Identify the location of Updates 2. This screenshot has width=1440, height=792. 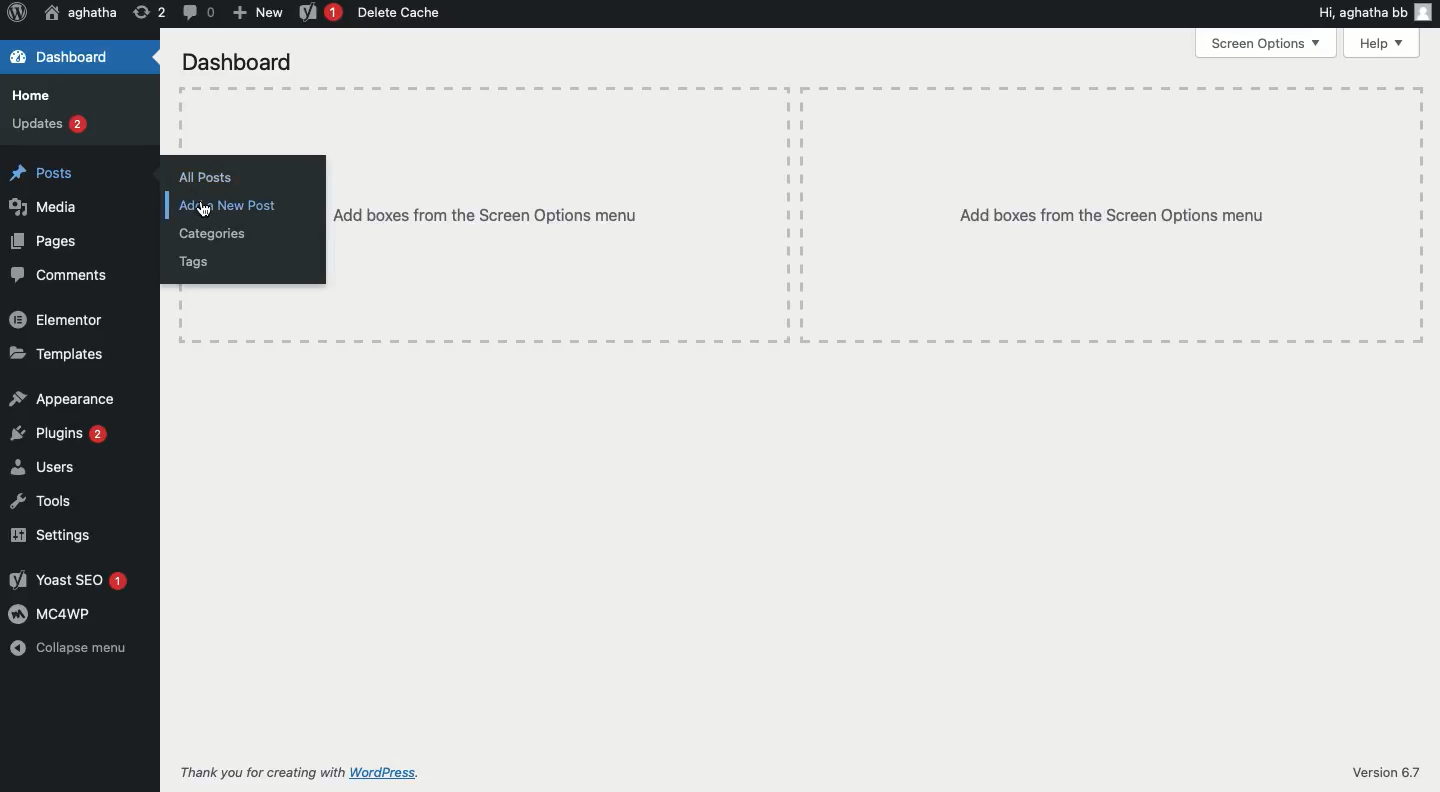
(54, 126).